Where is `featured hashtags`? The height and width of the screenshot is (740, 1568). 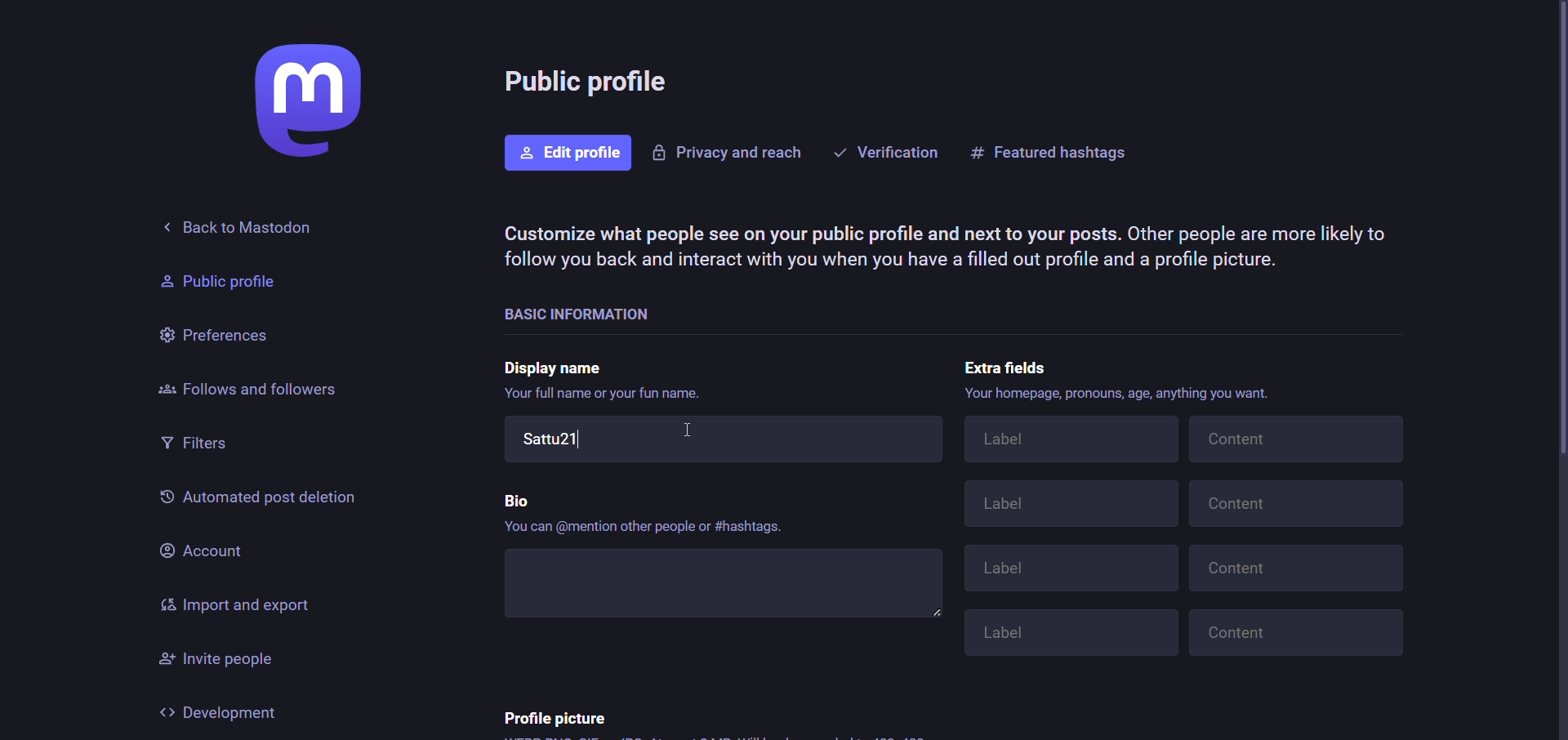
featured hashtags is located at coordinates (1053, 150).